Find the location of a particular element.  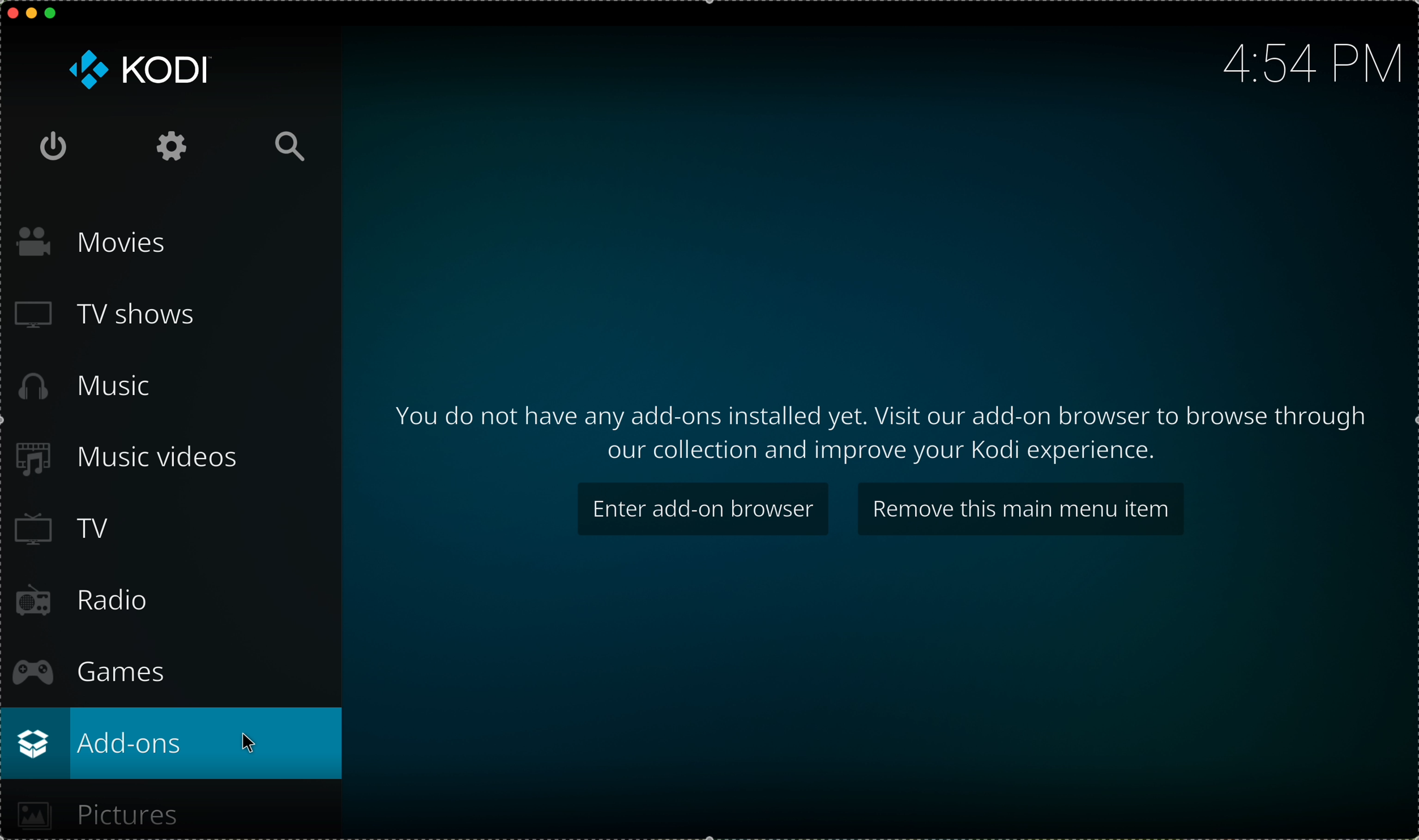

KODI logo is located at coordinates (138, 70).